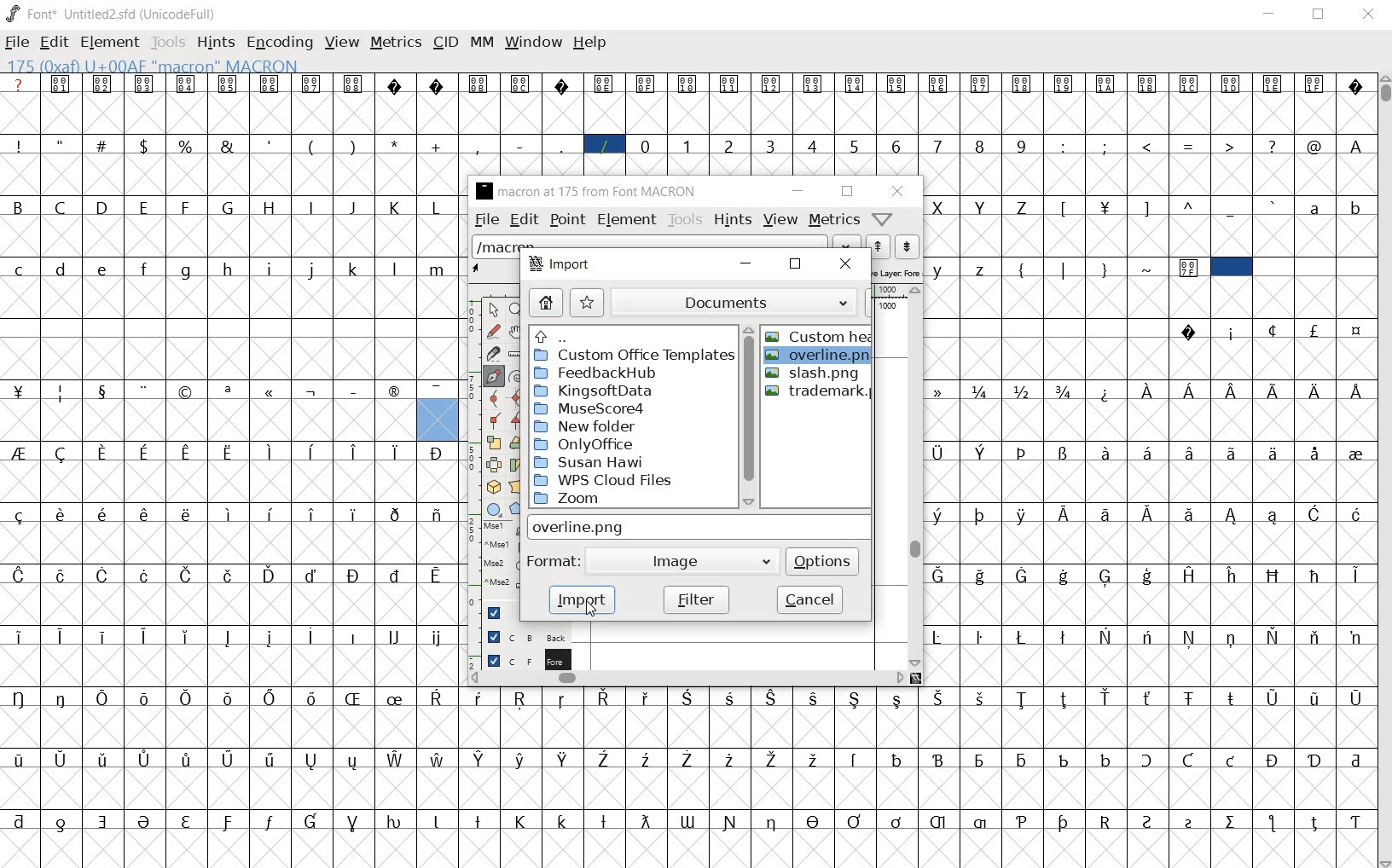 This screenshot has height=868, width=1392. What do you see at coordinates (439, 391) in the screenshot?
I see `Symbol` at bounding box center [439, 391].